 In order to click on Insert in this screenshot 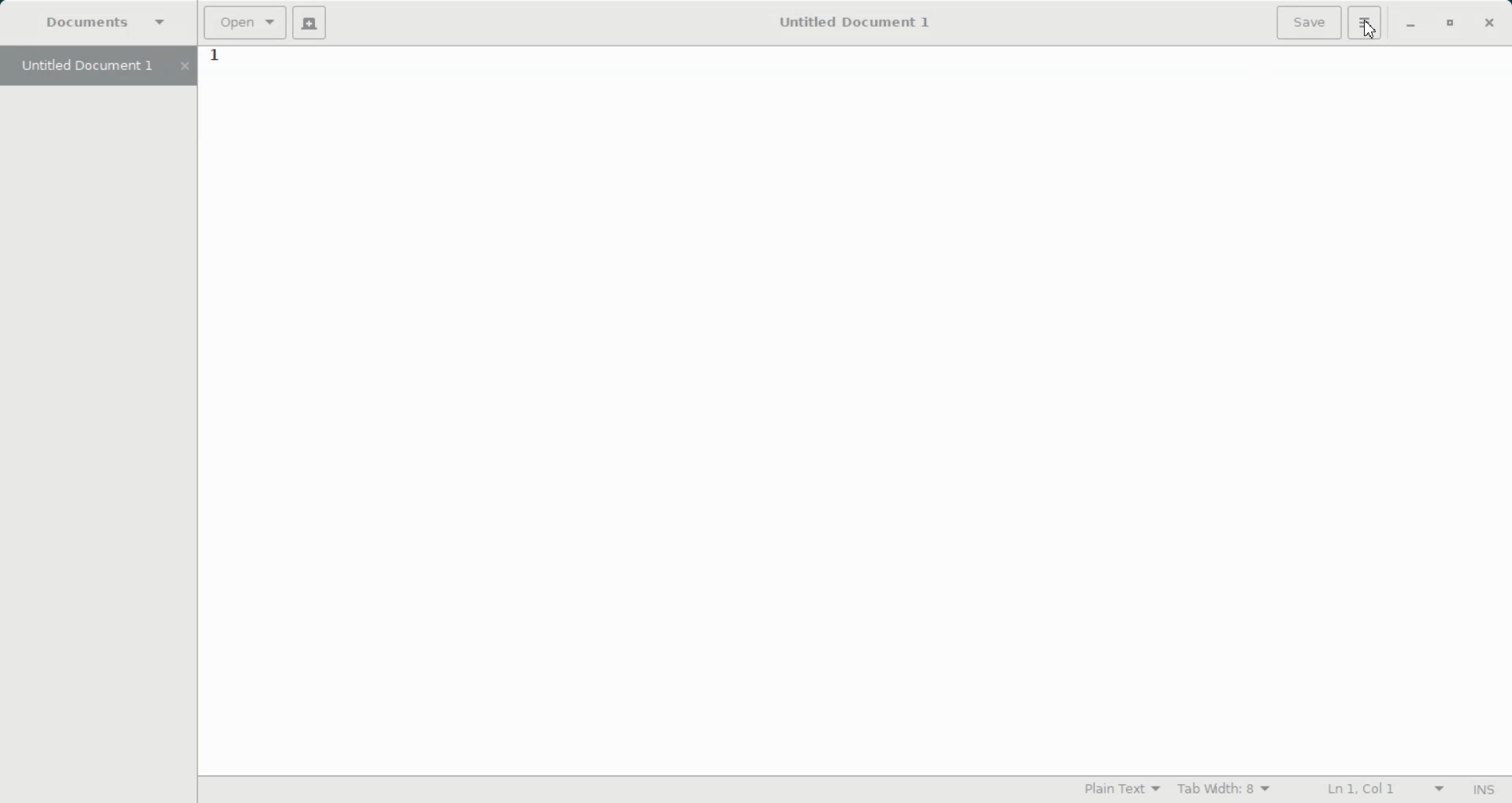, I will do `click(1482, 791)`.